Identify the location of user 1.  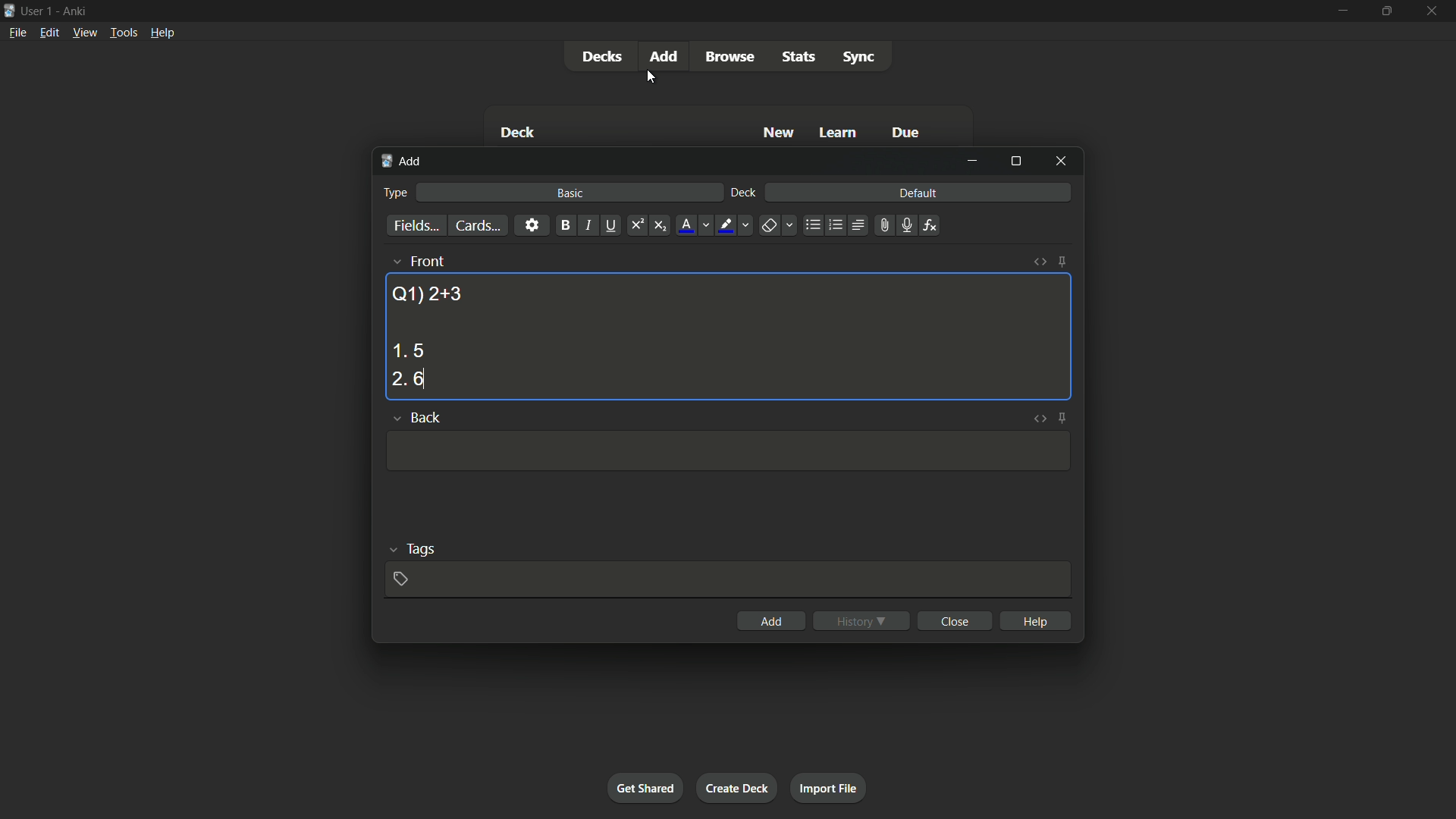
(37, 8).